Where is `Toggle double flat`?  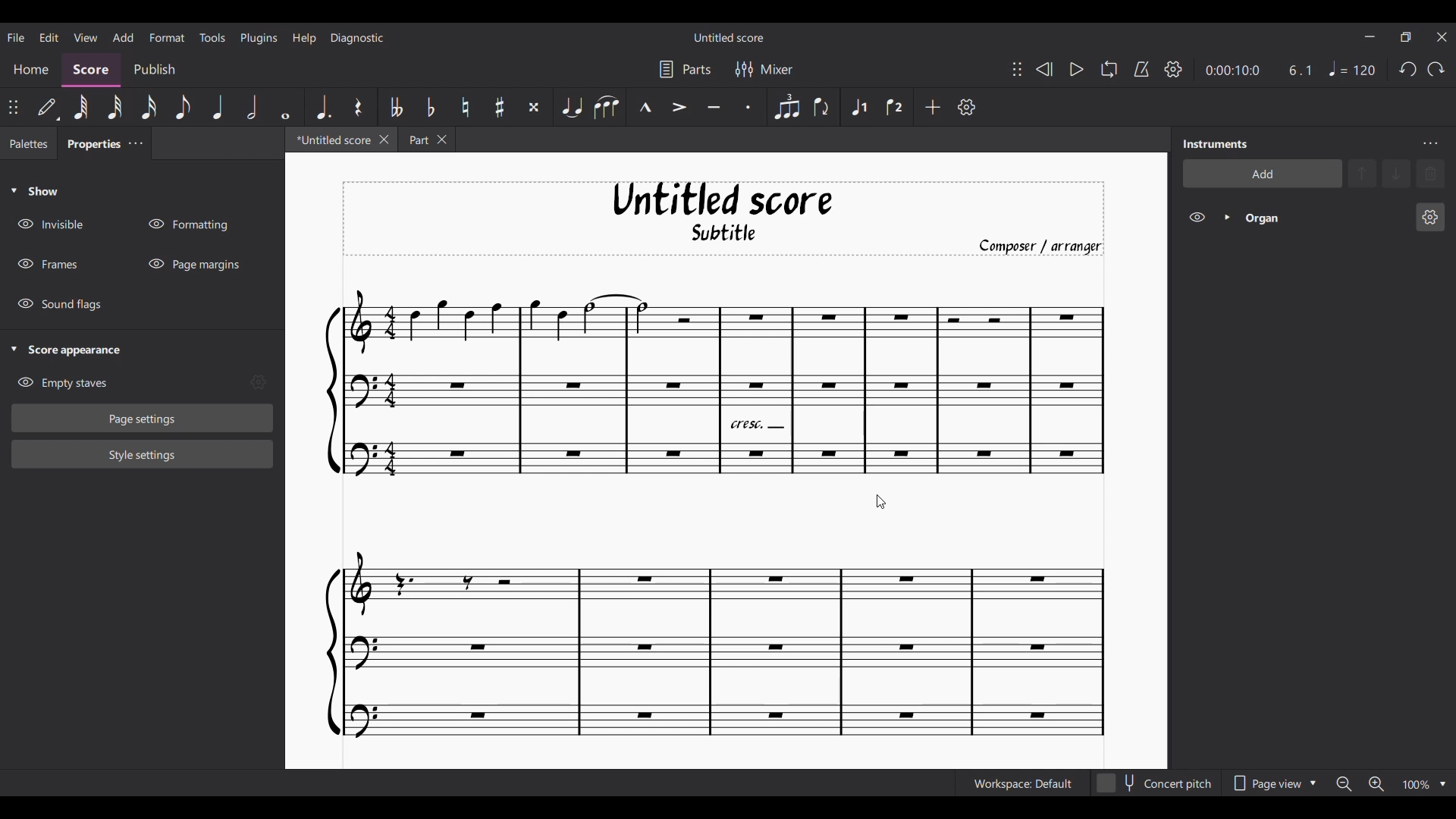 Toggle double flat is located at coordinates (395, 106).